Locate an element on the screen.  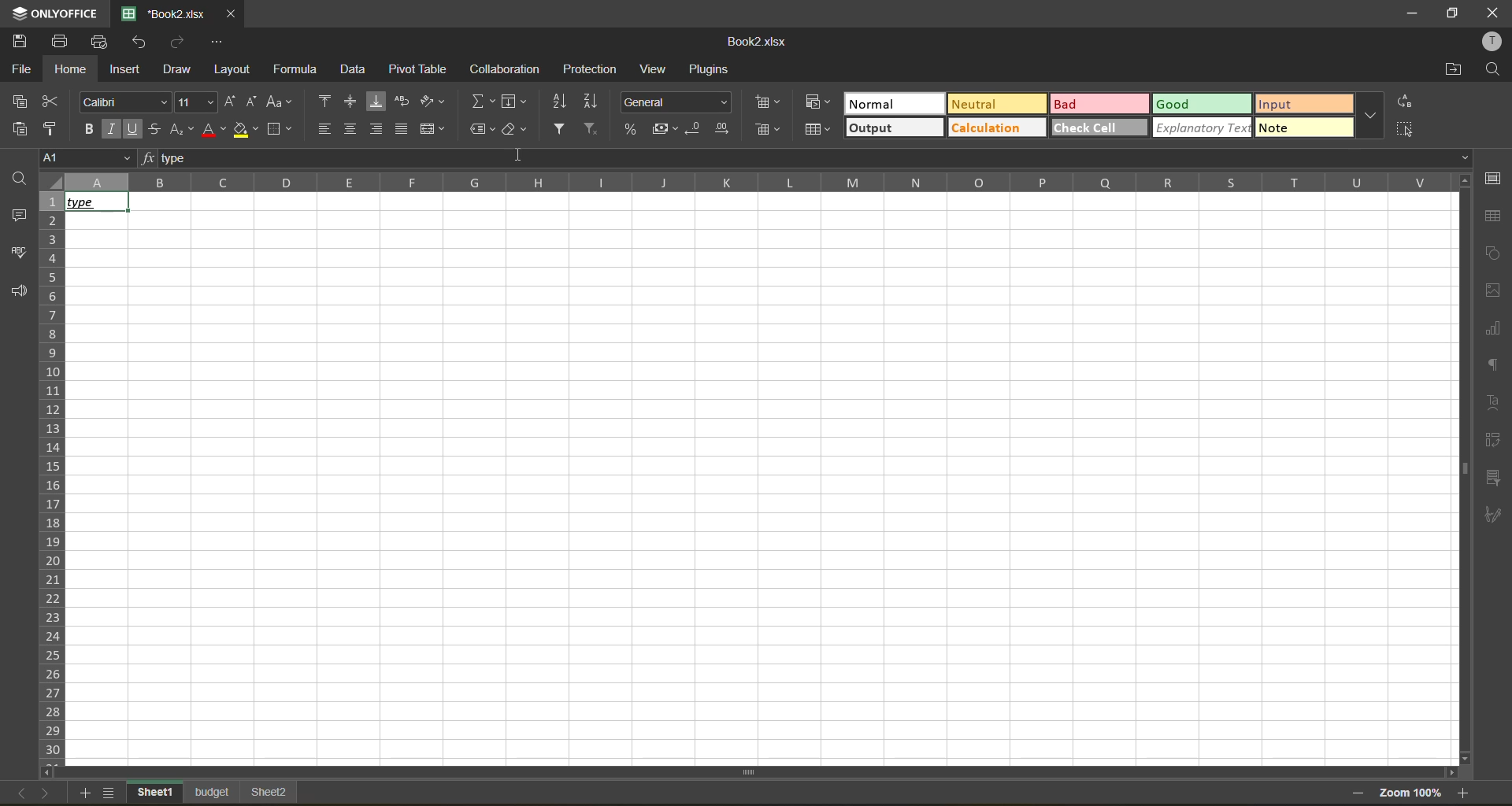
next is located at coordinates (45, 793).